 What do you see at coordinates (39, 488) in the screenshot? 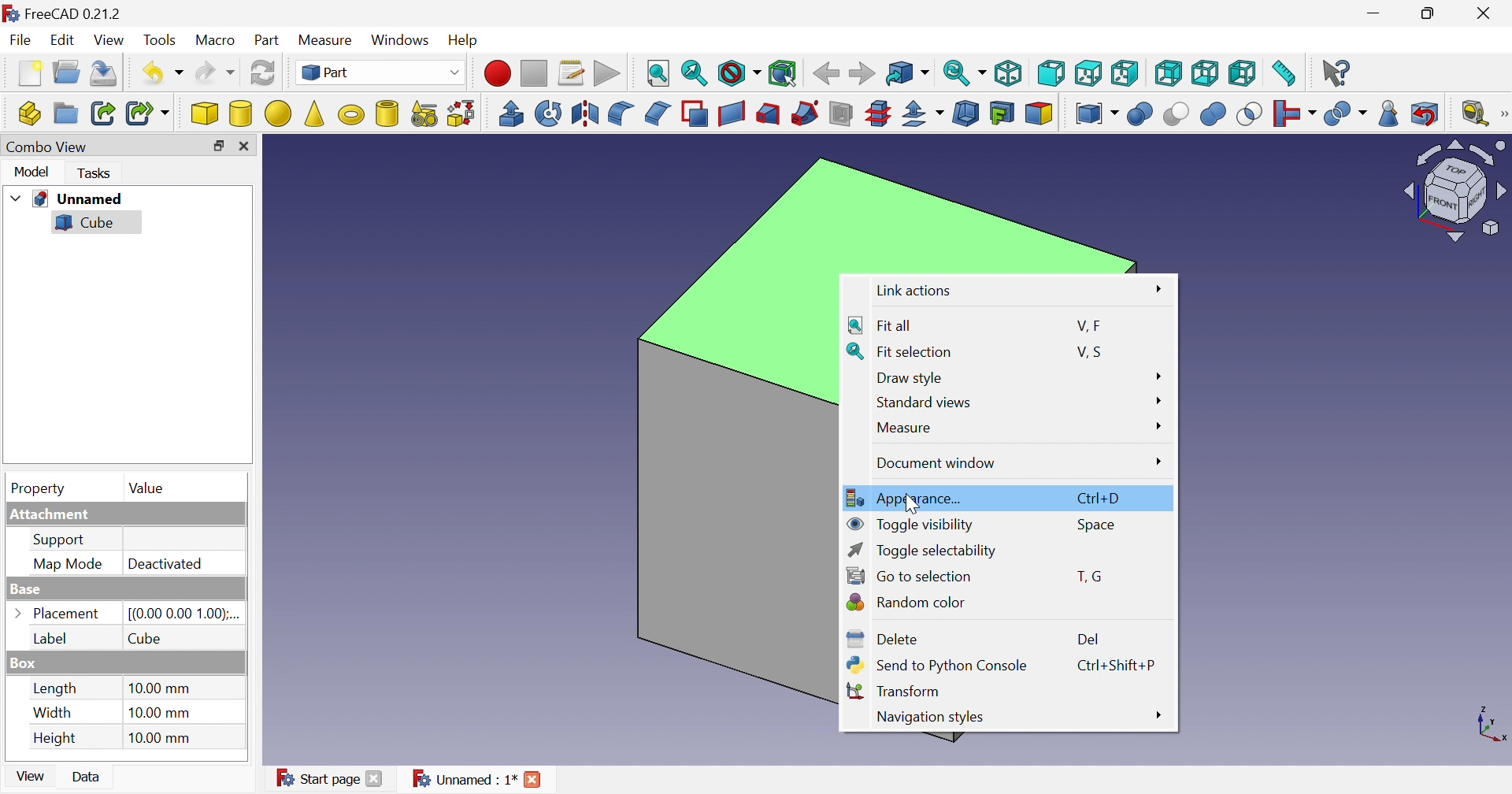
I see `Property` at bounding box center [39, 488].